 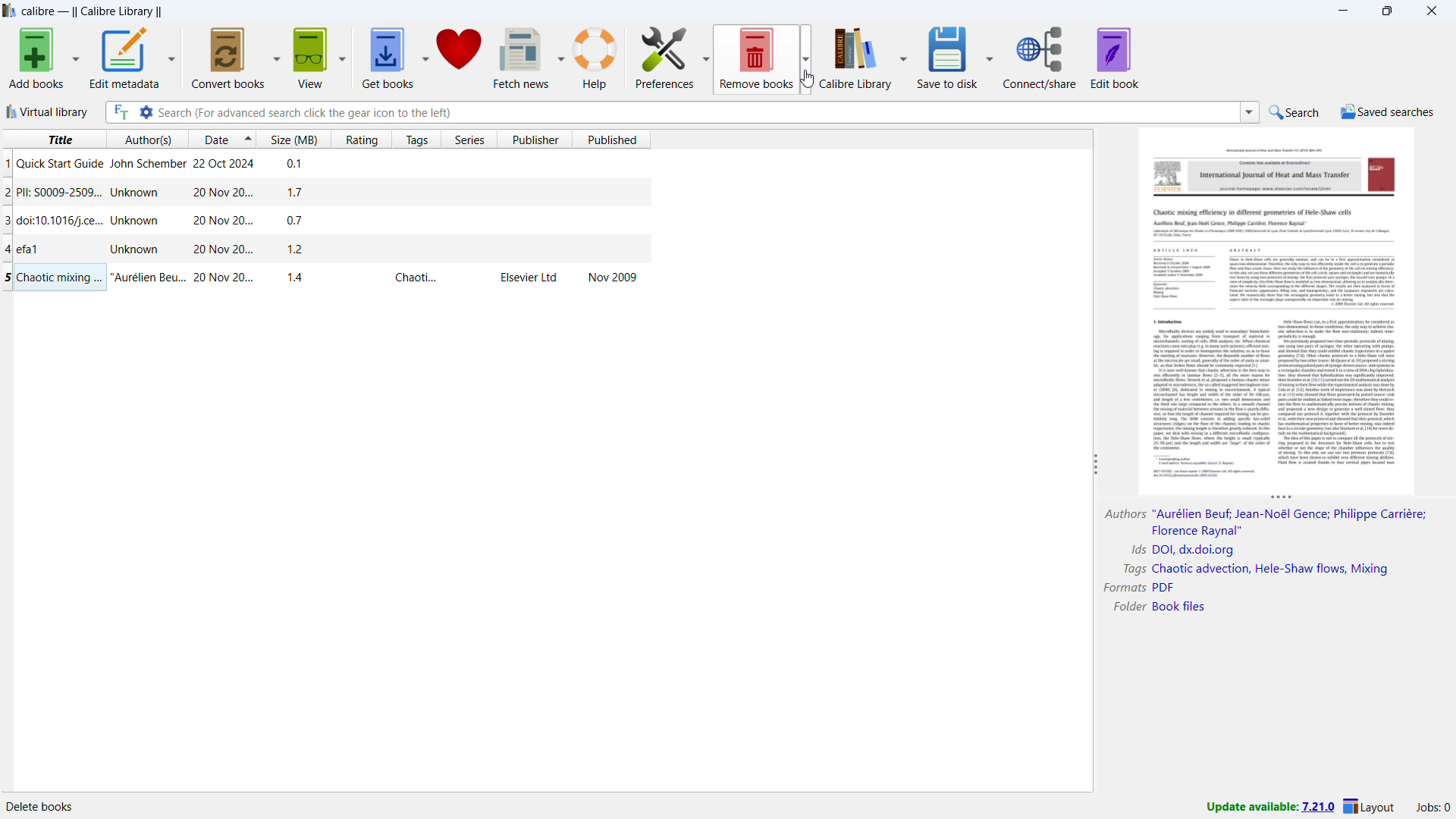 I want to click on donate to calibre, so click(x=460, y=55).